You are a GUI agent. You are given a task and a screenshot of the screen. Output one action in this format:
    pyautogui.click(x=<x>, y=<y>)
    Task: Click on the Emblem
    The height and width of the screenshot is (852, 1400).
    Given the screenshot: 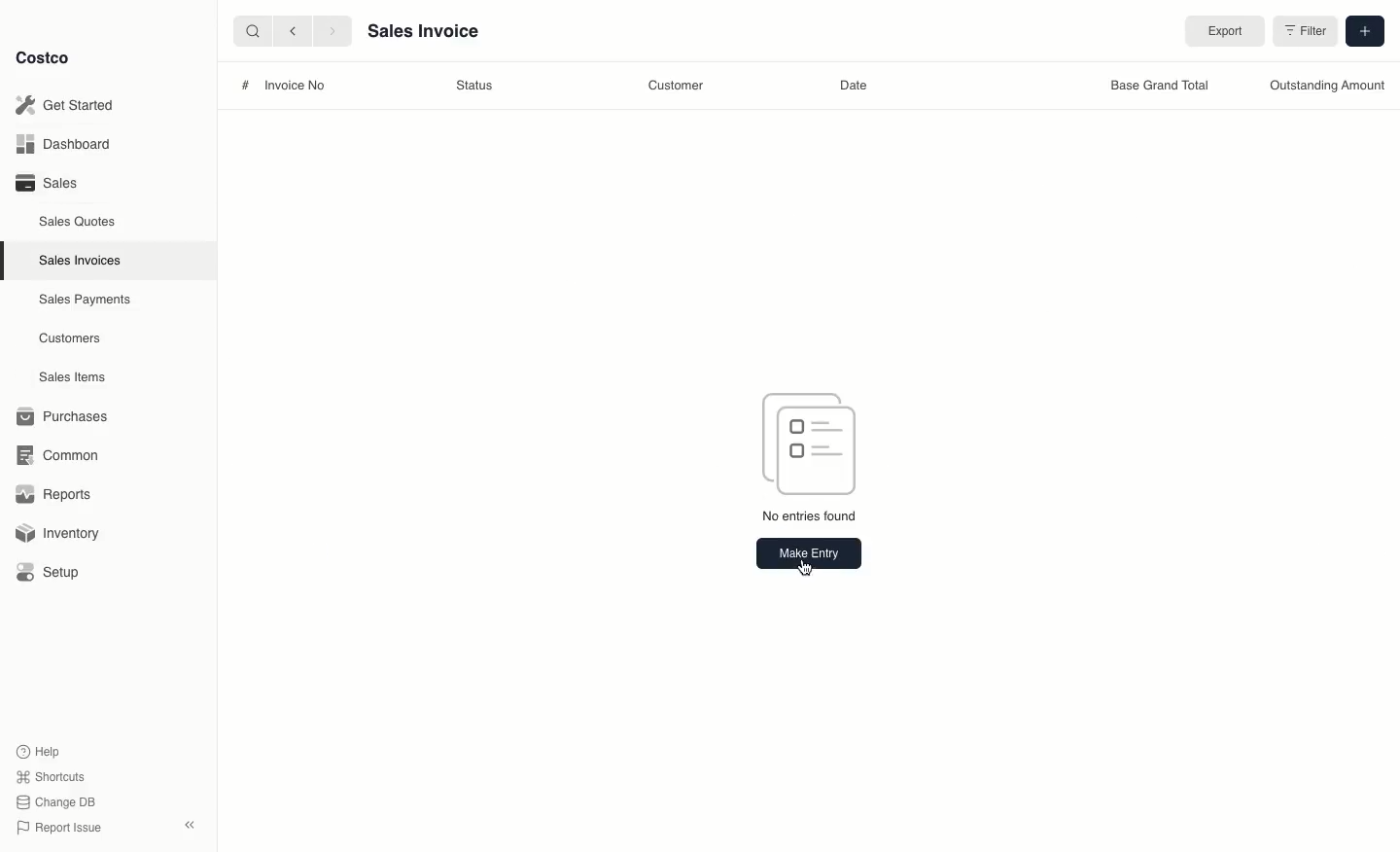 What is the action you would take?
    pyautogui.click(x=812, y=442)
    